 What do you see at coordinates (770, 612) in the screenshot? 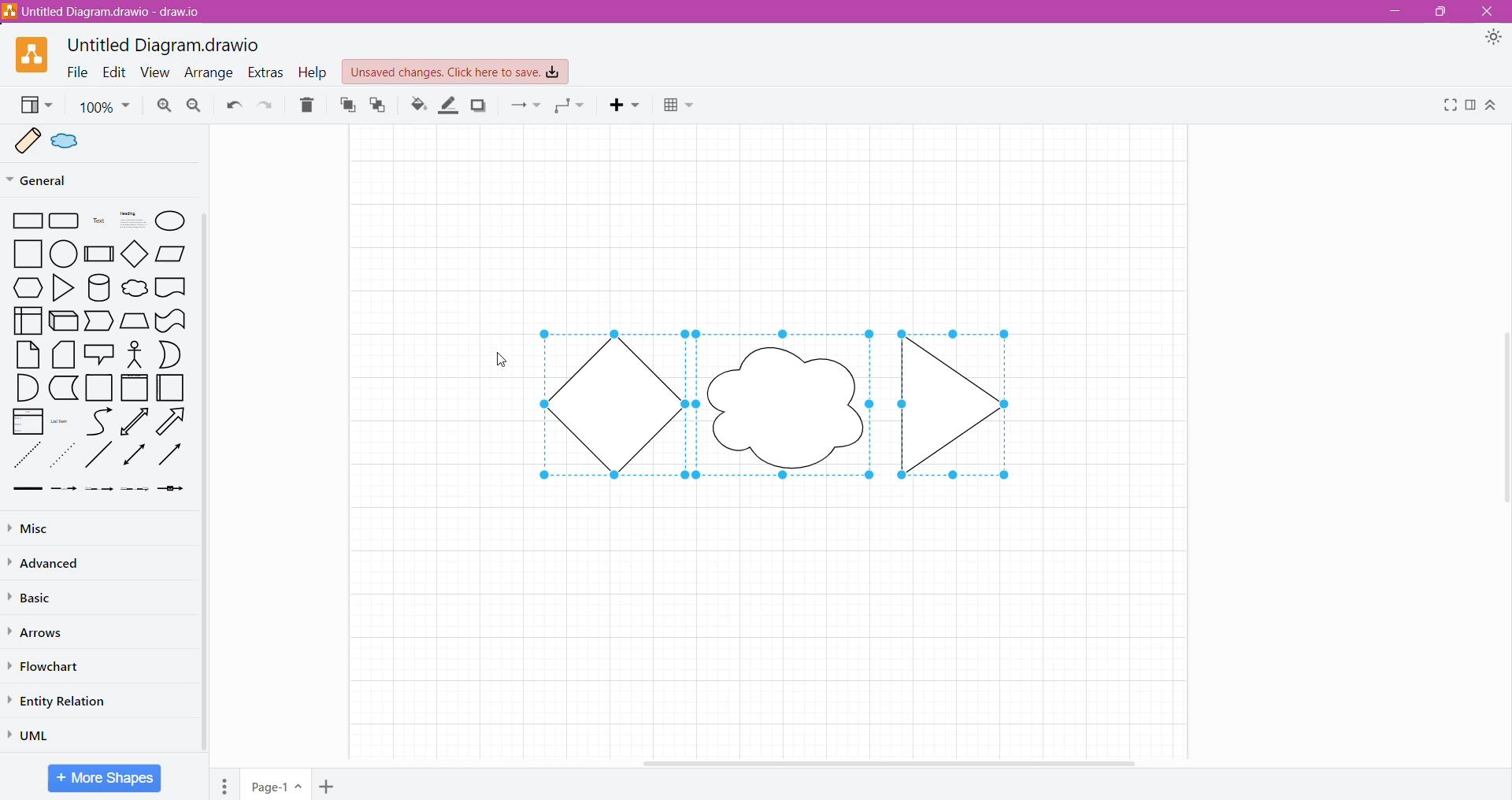
I see `Canvas area` at bounding box center [770, 612].